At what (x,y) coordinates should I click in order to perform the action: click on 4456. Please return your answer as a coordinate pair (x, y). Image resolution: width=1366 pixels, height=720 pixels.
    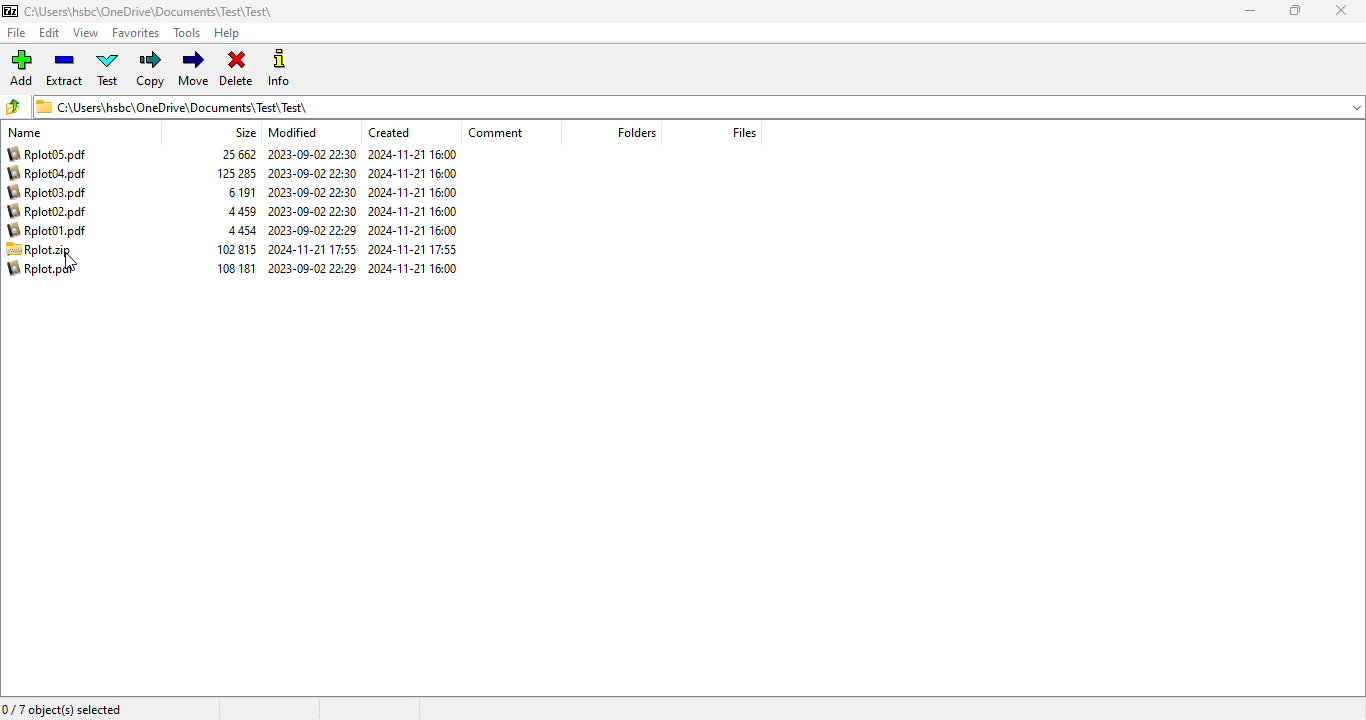
    Looking at the image, I should click on (242, 212).